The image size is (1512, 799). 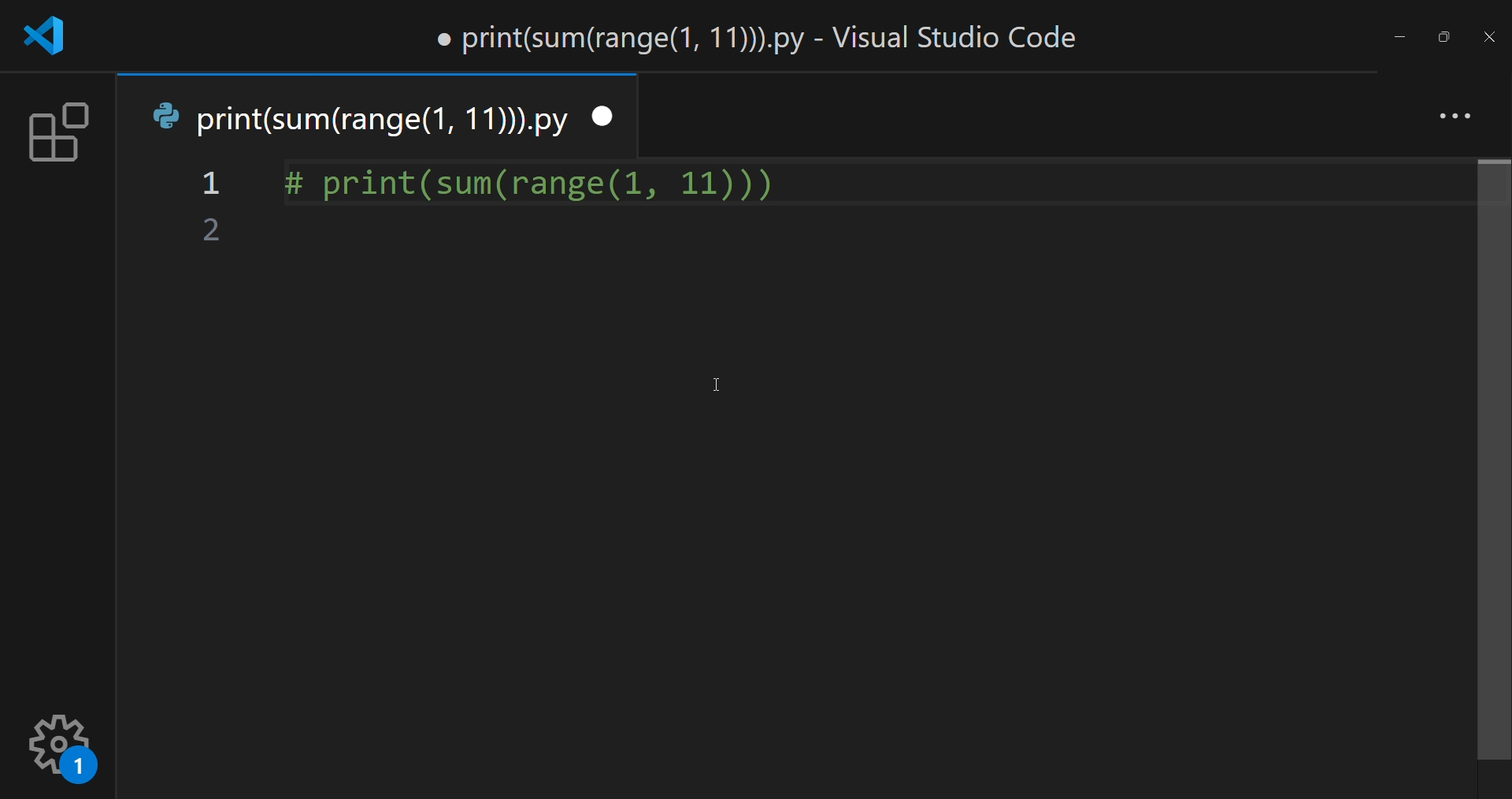 What do you see at coordinates (361, 118) in the screenshot?
I see `print(sum(range(1, 11))).py` at bounding box center [361, 118].